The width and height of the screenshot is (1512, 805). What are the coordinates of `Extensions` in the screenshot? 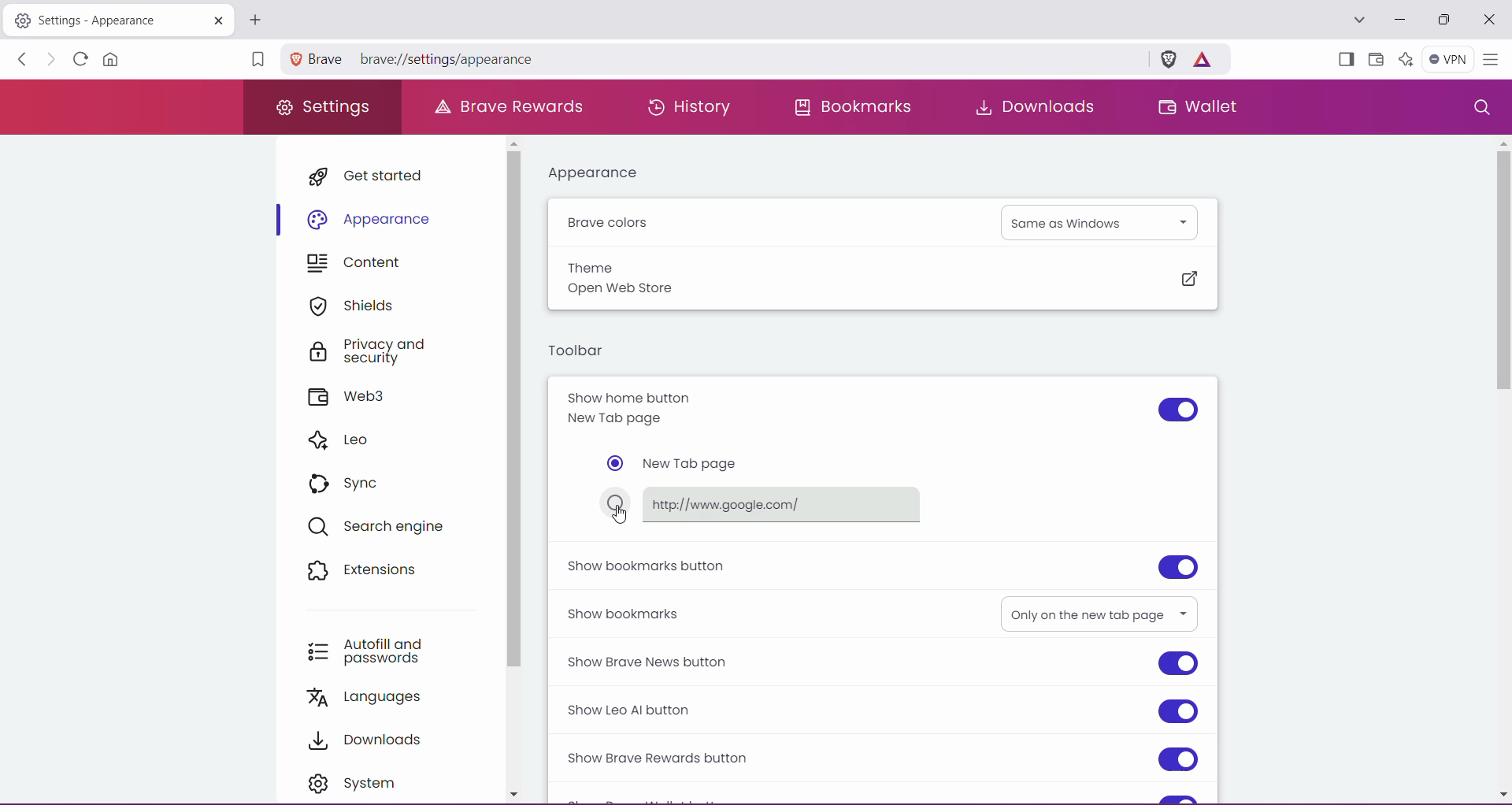 It's located at (370, 572).